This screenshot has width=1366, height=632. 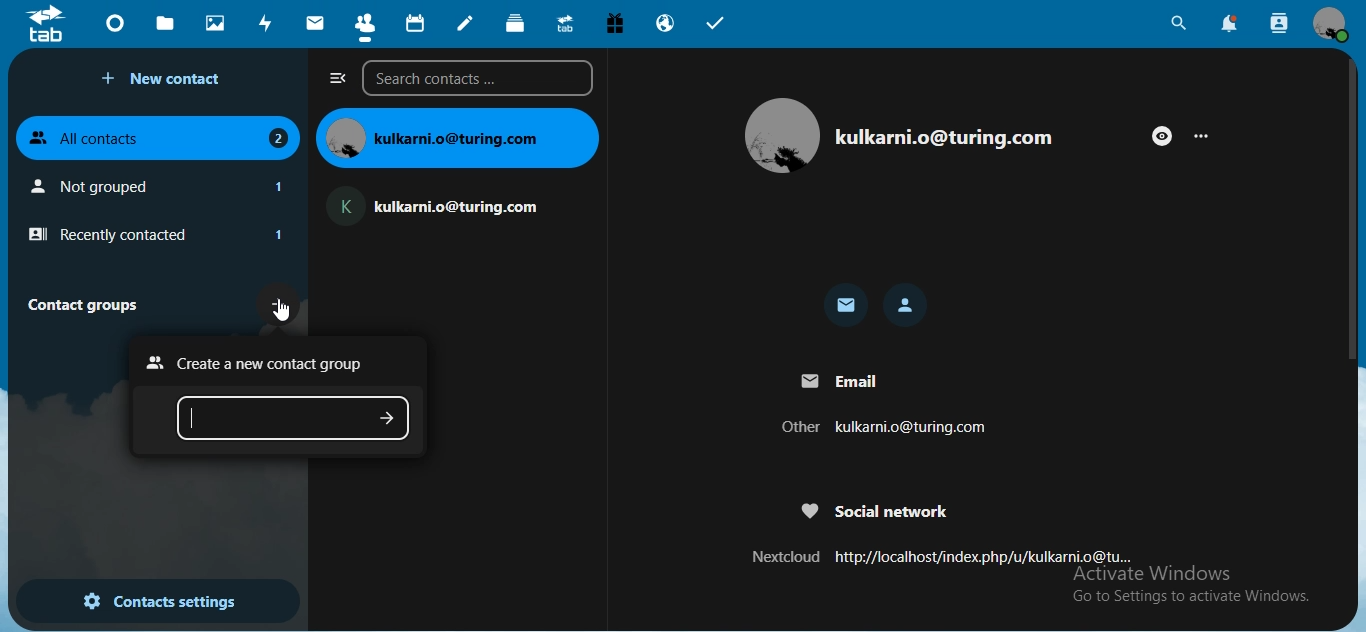 What do you see at coordinates (1162, 136) in the screenshot?
I see `hide` at bounding box center [1162, 136].